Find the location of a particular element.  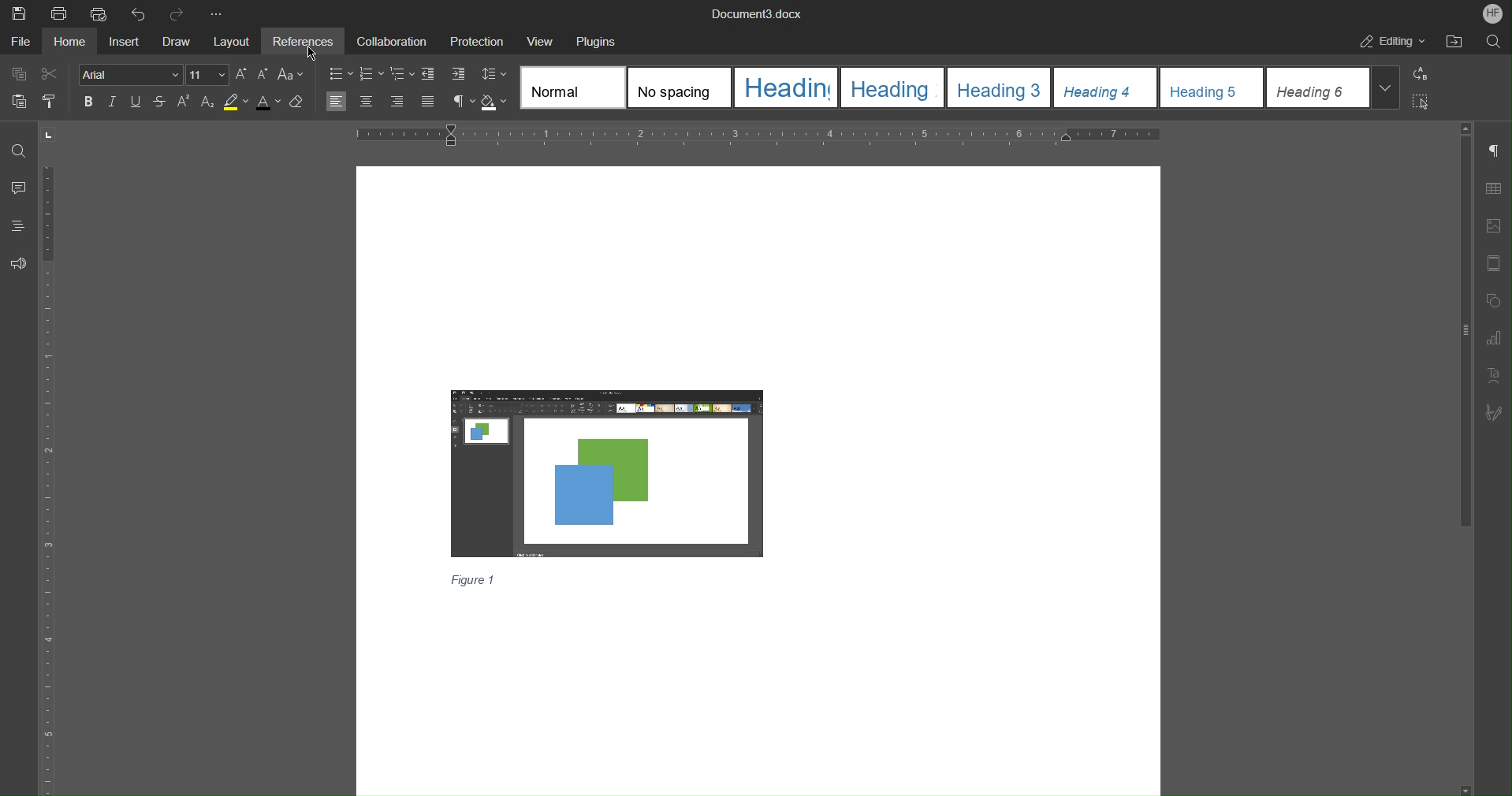

Heading 6 is located at coordinates (1316, 89).